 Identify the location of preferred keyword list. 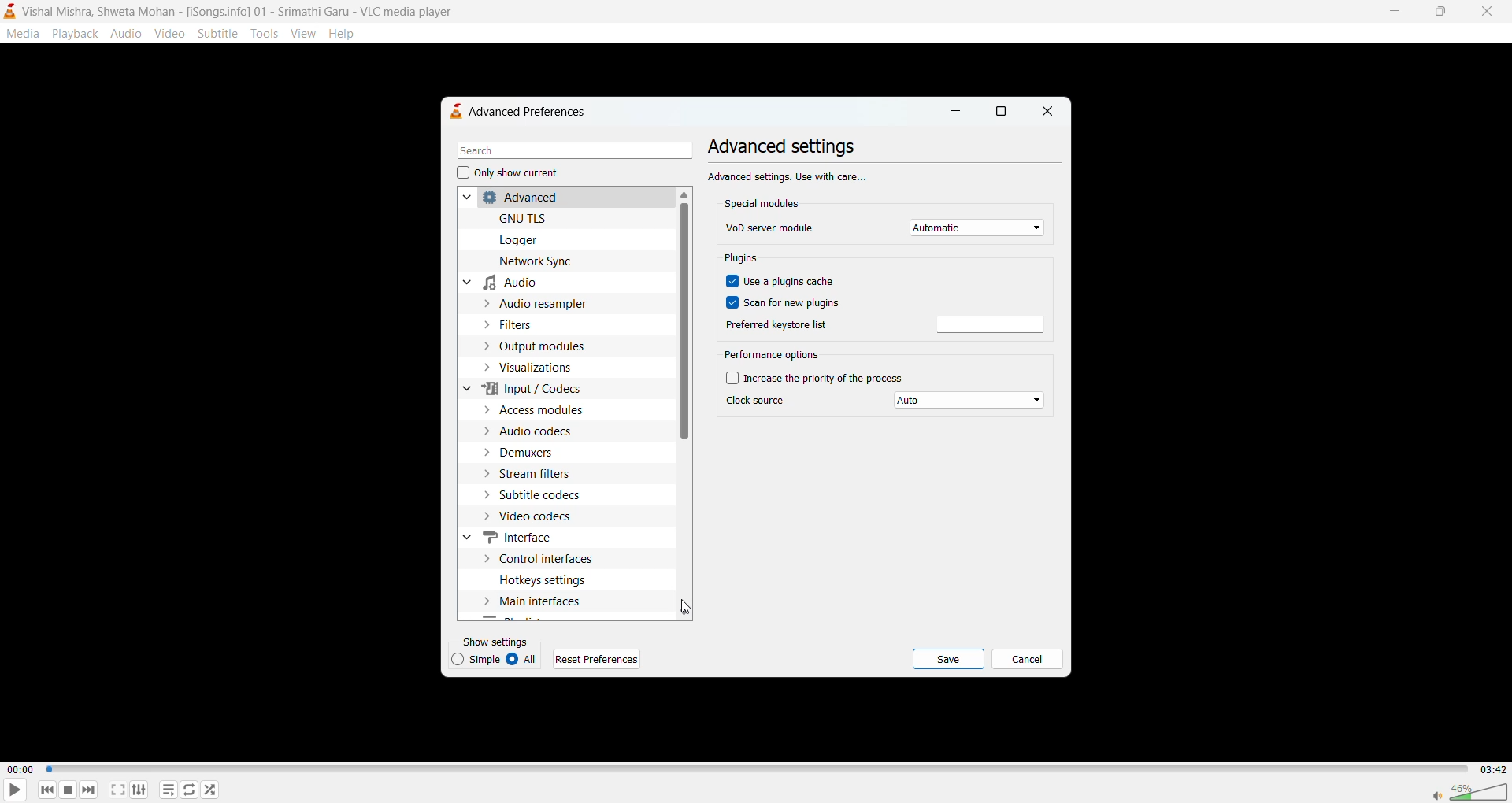
(991, 325).